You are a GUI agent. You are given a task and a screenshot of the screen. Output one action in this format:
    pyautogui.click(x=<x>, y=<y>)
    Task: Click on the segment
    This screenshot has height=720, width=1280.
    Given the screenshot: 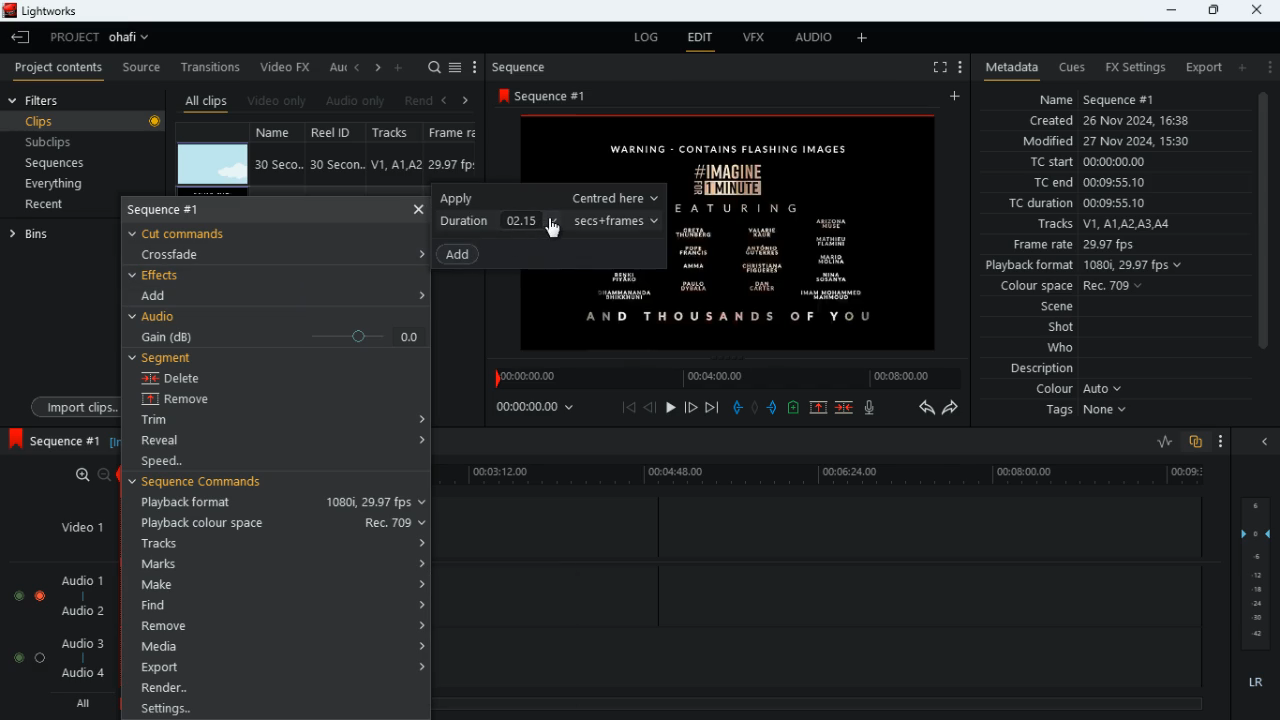 What is the action you would take?
    pyautogui.click(x=166, y=358)
    